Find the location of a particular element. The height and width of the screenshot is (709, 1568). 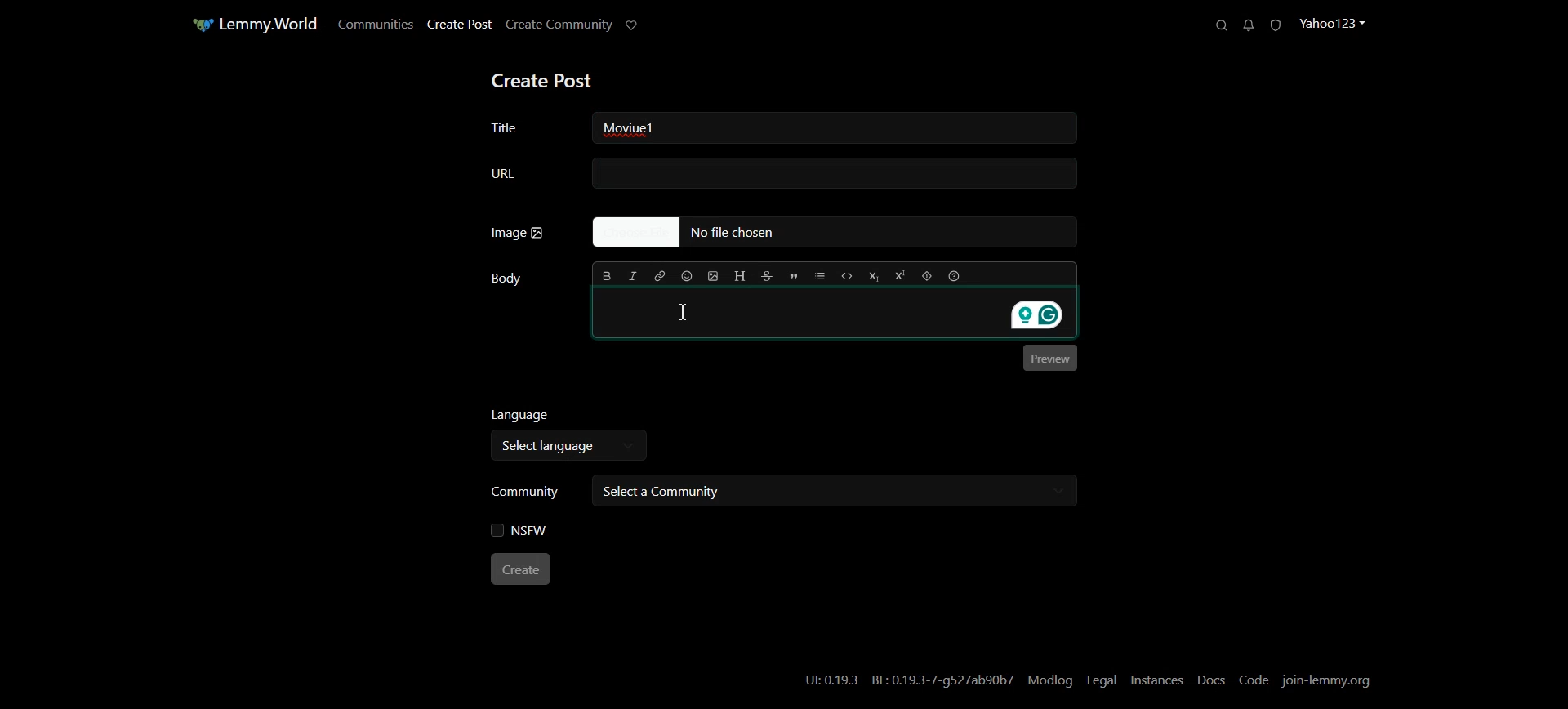

Superscript is located at coordinates (900, 275).